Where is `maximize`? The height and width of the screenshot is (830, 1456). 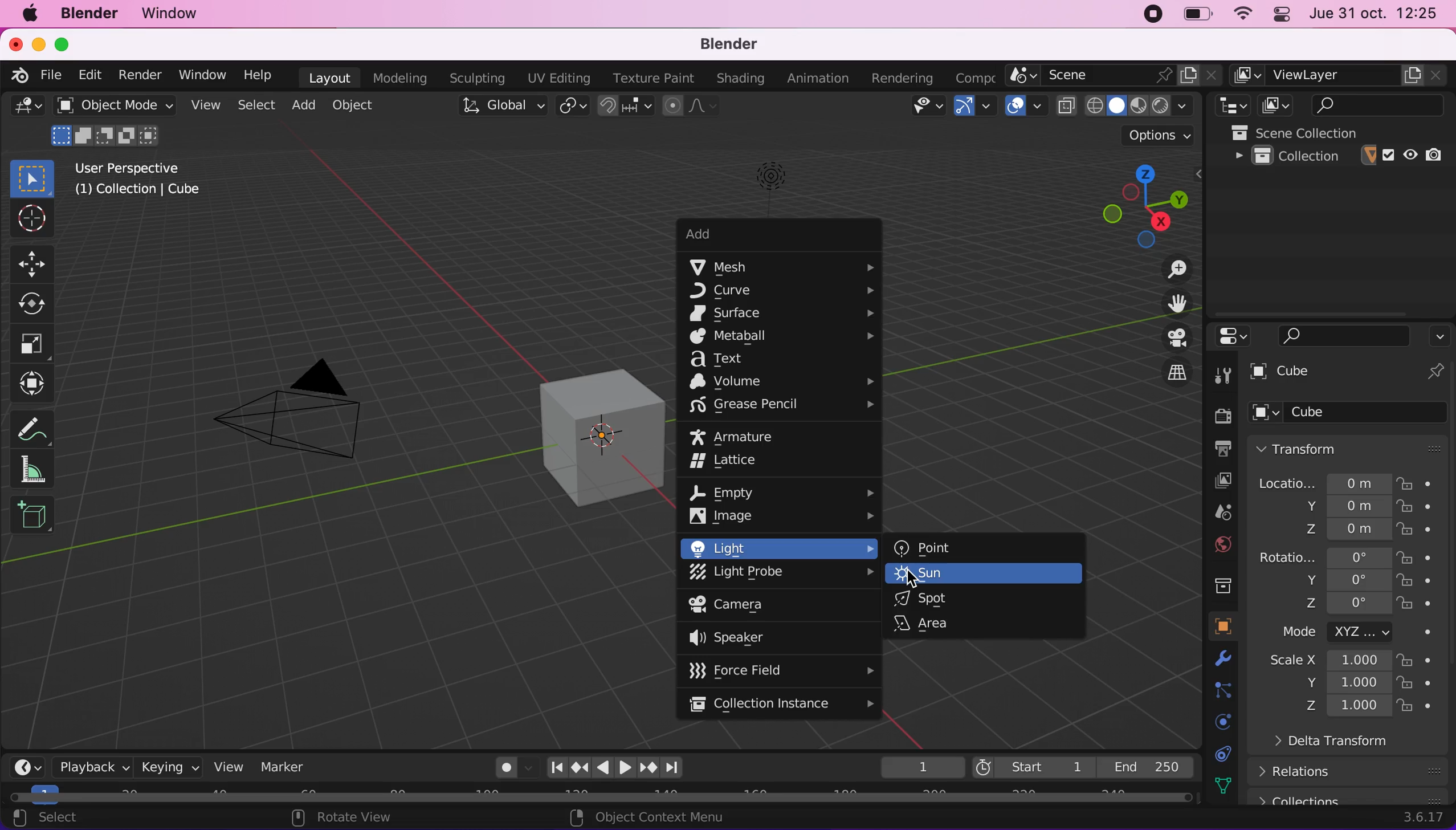
maximize is located at coordinates (63, 45).